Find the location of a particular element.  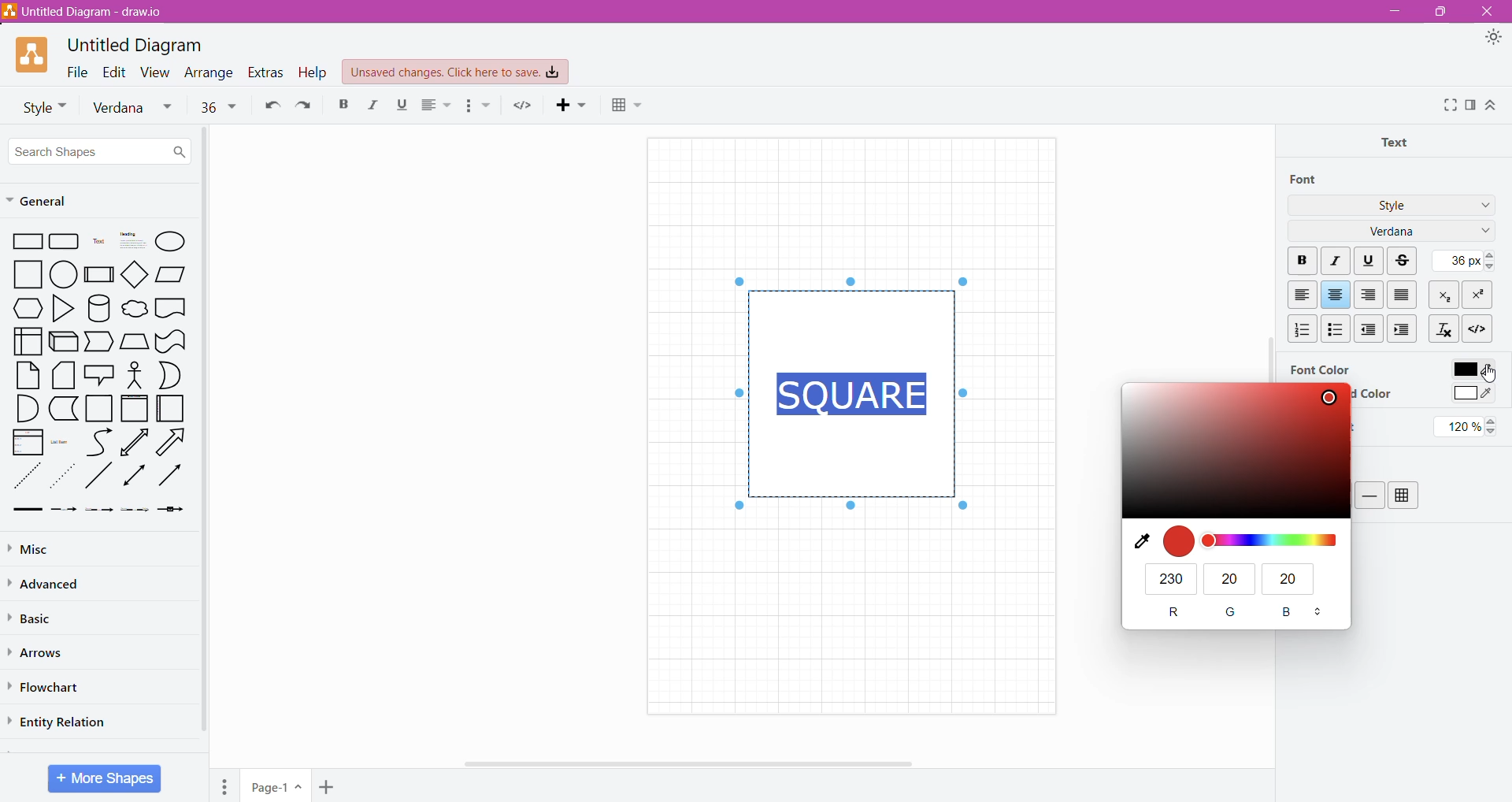

Text selected is located at coordinates (855, 392).